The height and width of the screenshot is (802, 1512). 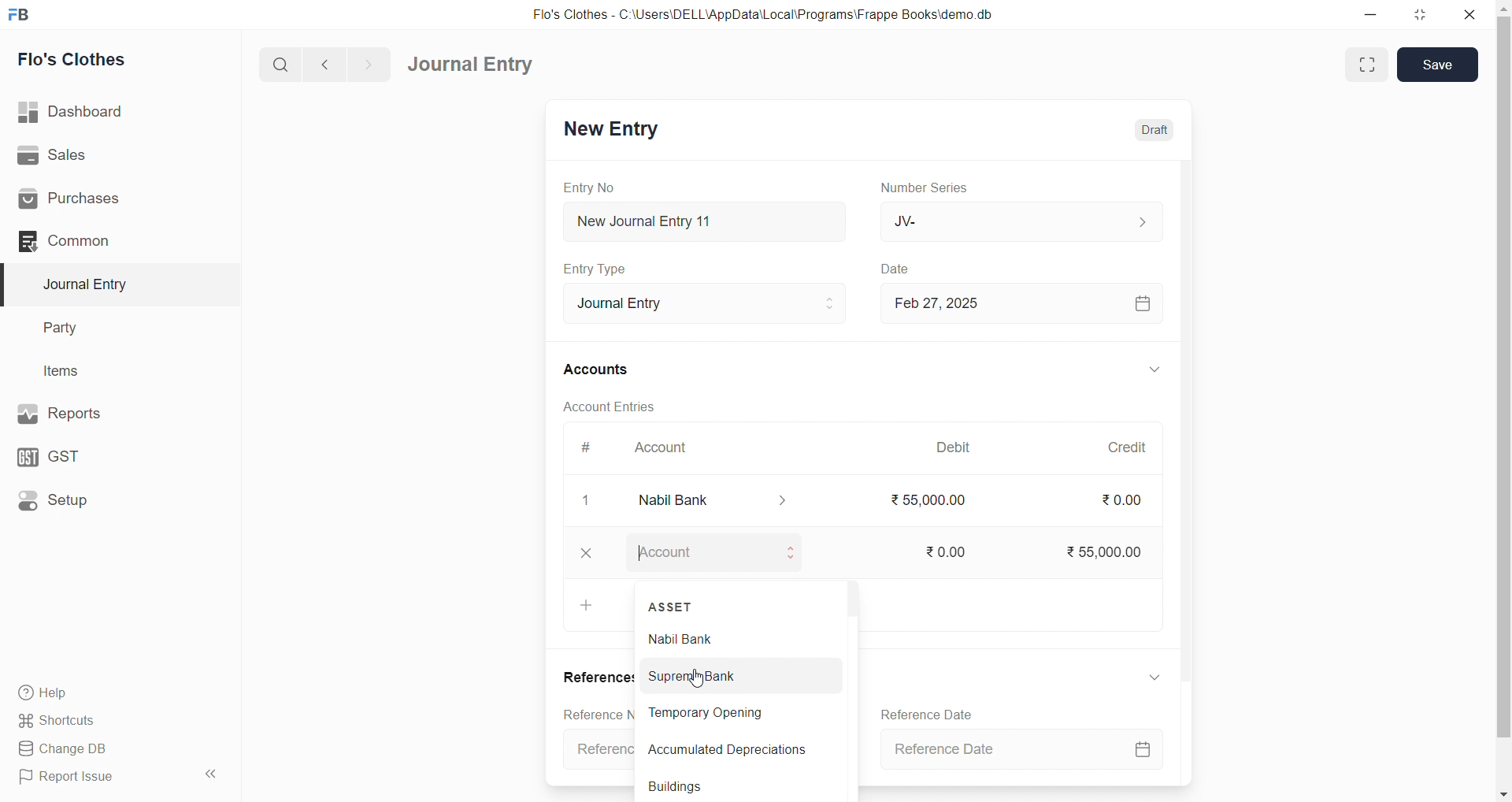 What do you see at coordinates (1373, 13) in the screenshot?
I see `minimize` at bounding box center [1373, 13].